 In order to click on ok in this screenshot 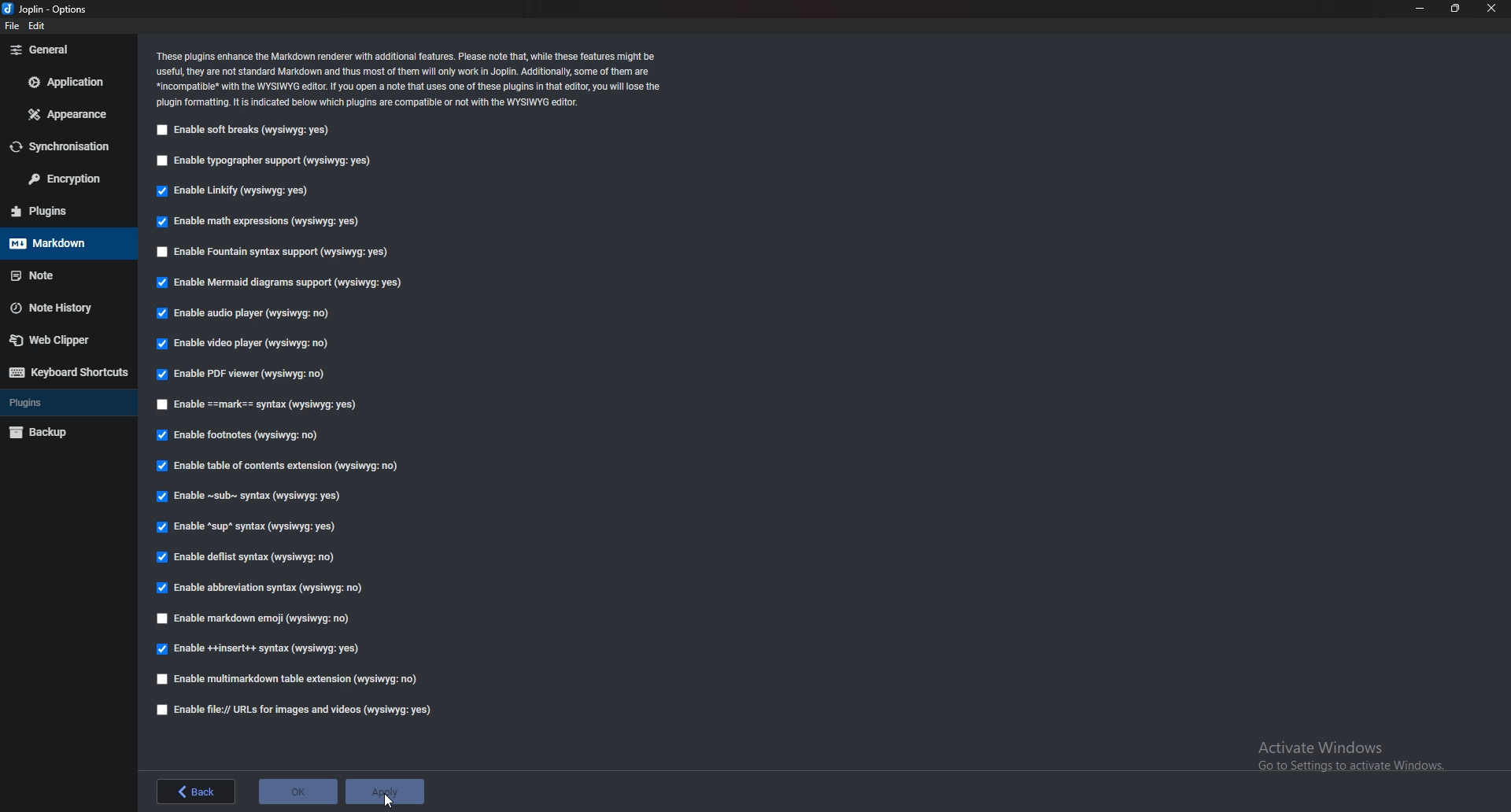, I will do `click(295, 792)`.